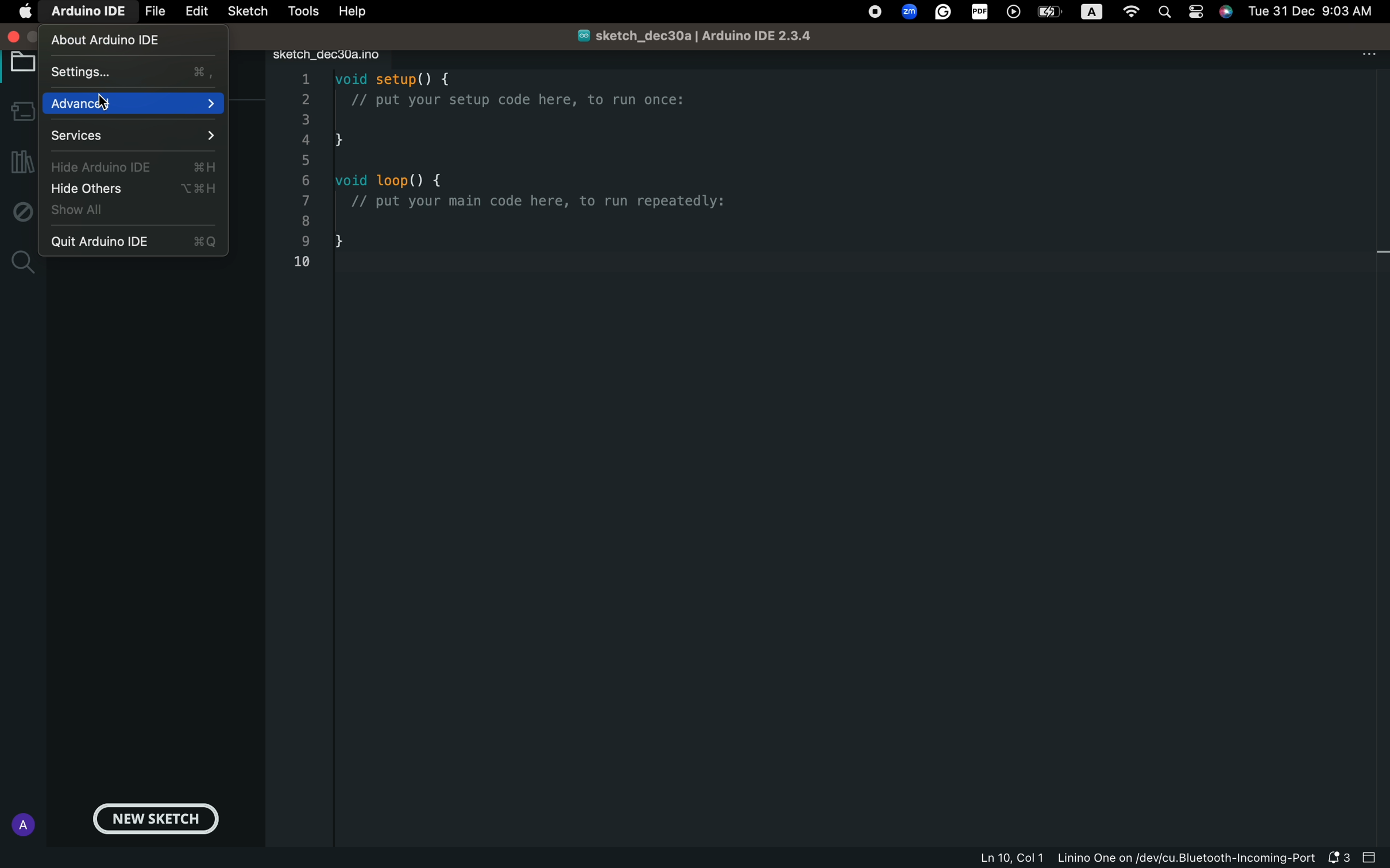 This screenshot has width=1390, height=868. What do you see at coordinates (1168, 11) in the screenshot?
I see `Search` at bounding box center [1168, 11].